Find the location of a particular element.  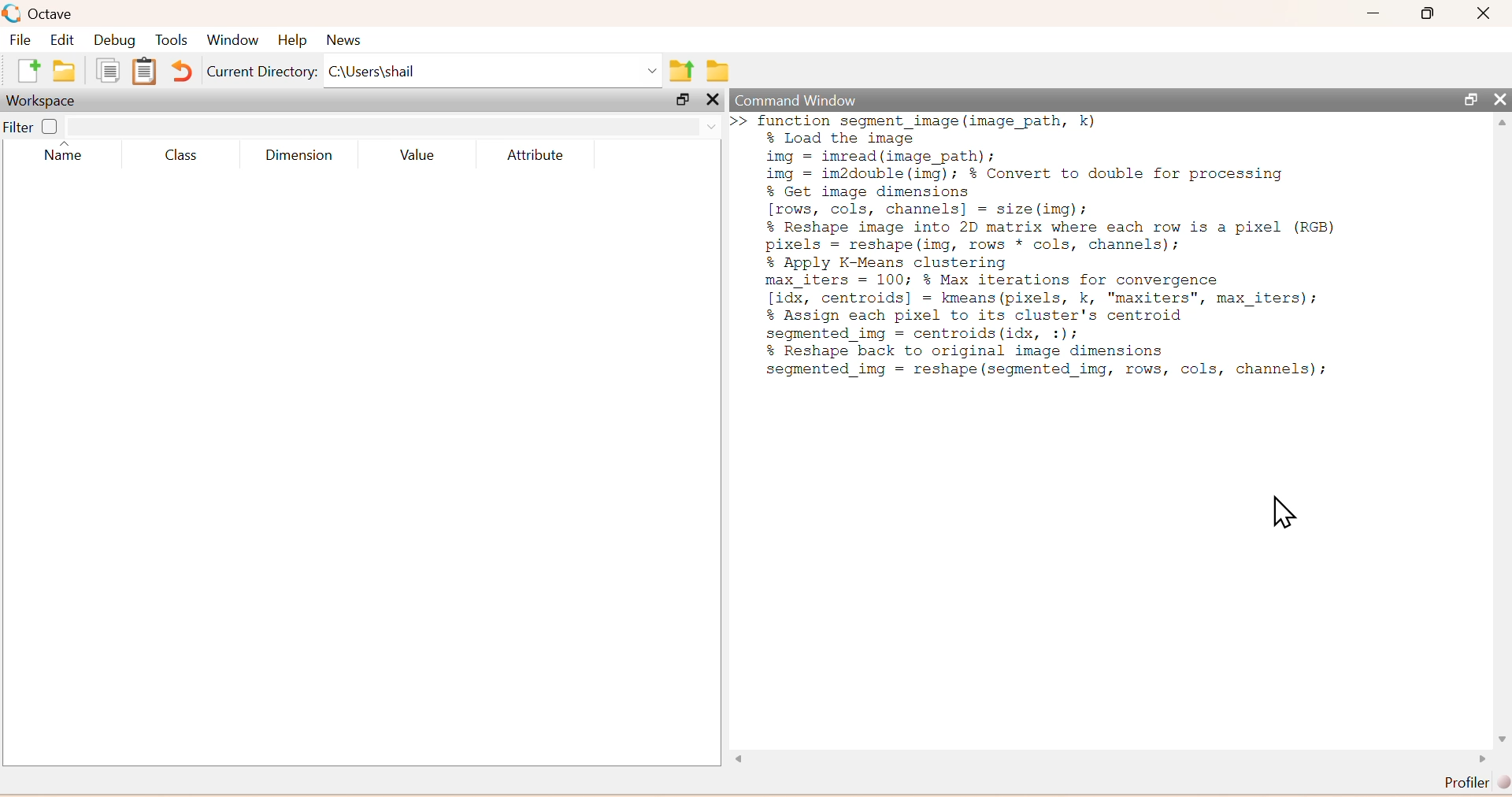

Maximize is located at coordinates (1430, 13).